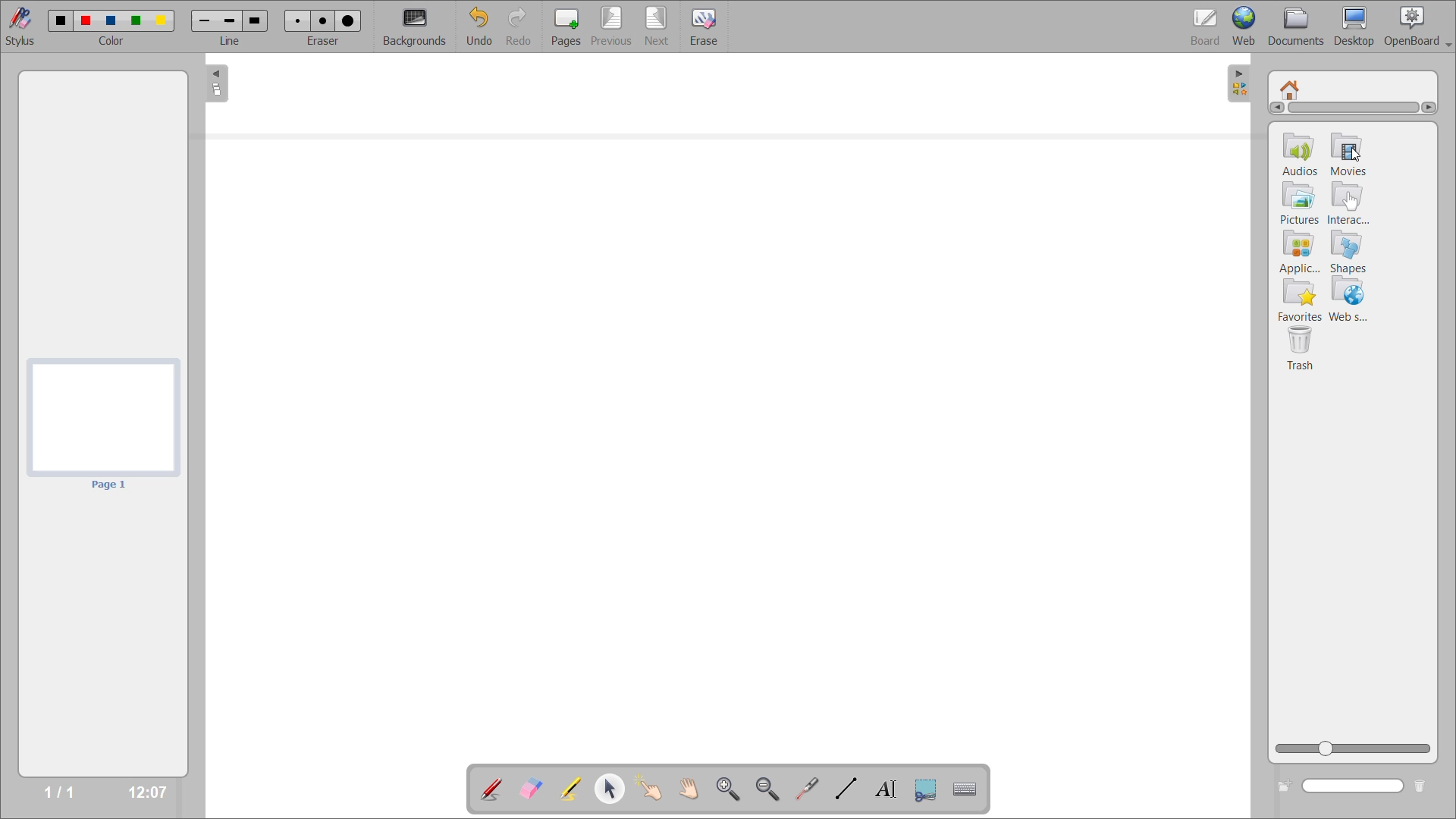  What do you see at coordinates (1356, 748) in the screenshot?
I see `zoom slider` at bounding box center [1356, 748].